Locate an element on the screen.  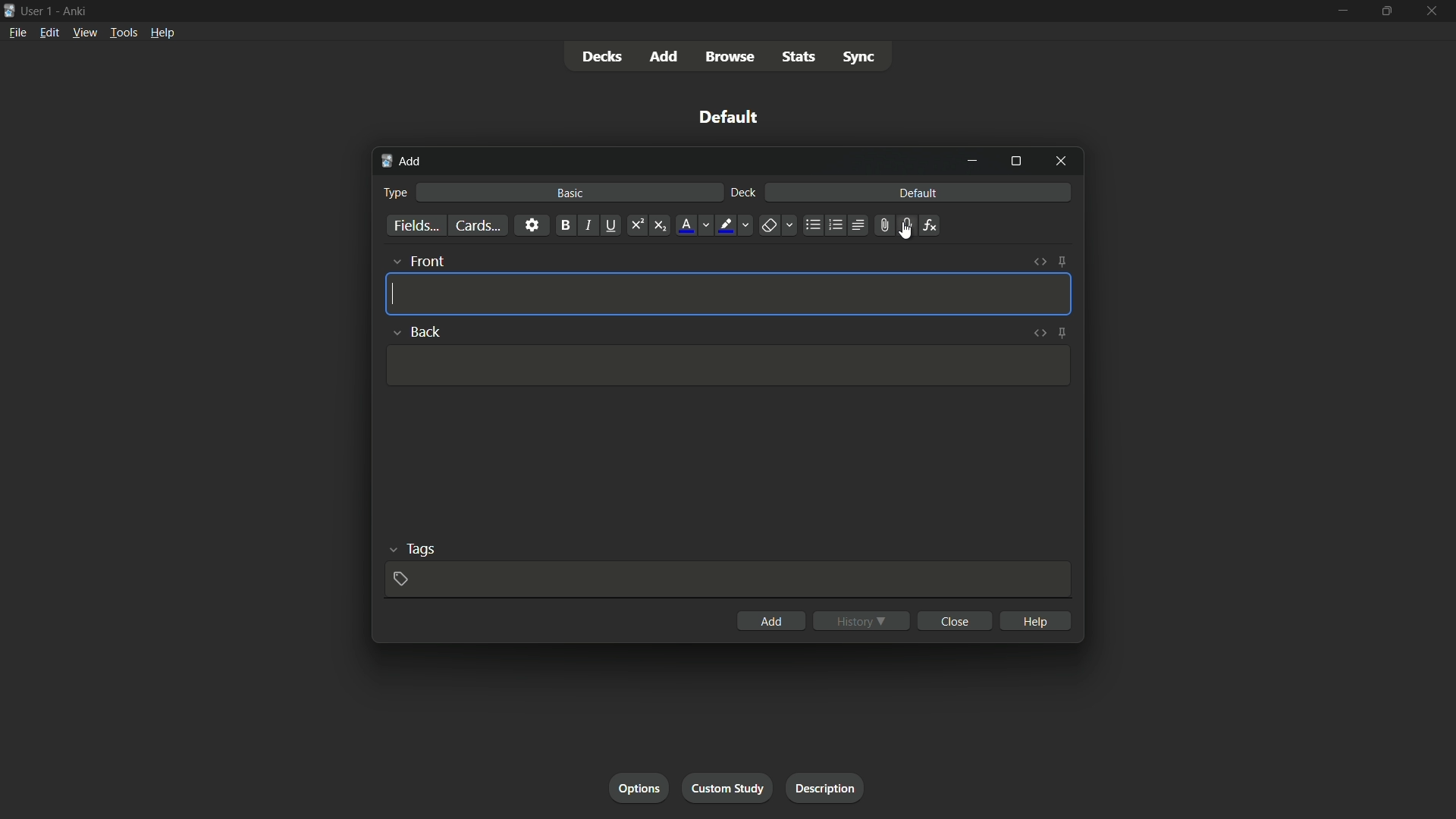
stats is located at coordinates (802, 58).